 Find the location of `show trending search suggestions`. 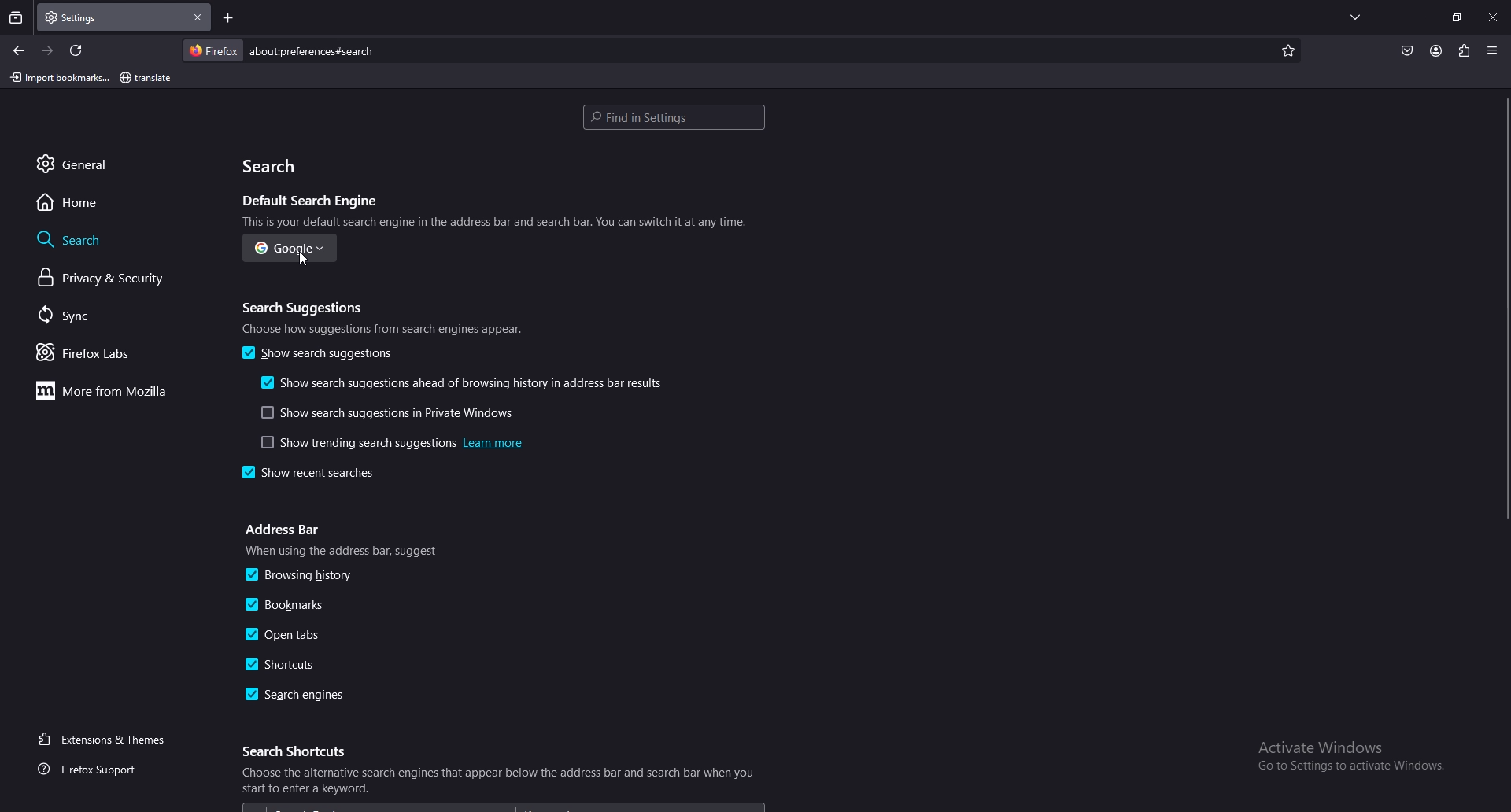

show trending search suggestions is located at coordinates (388, 442).